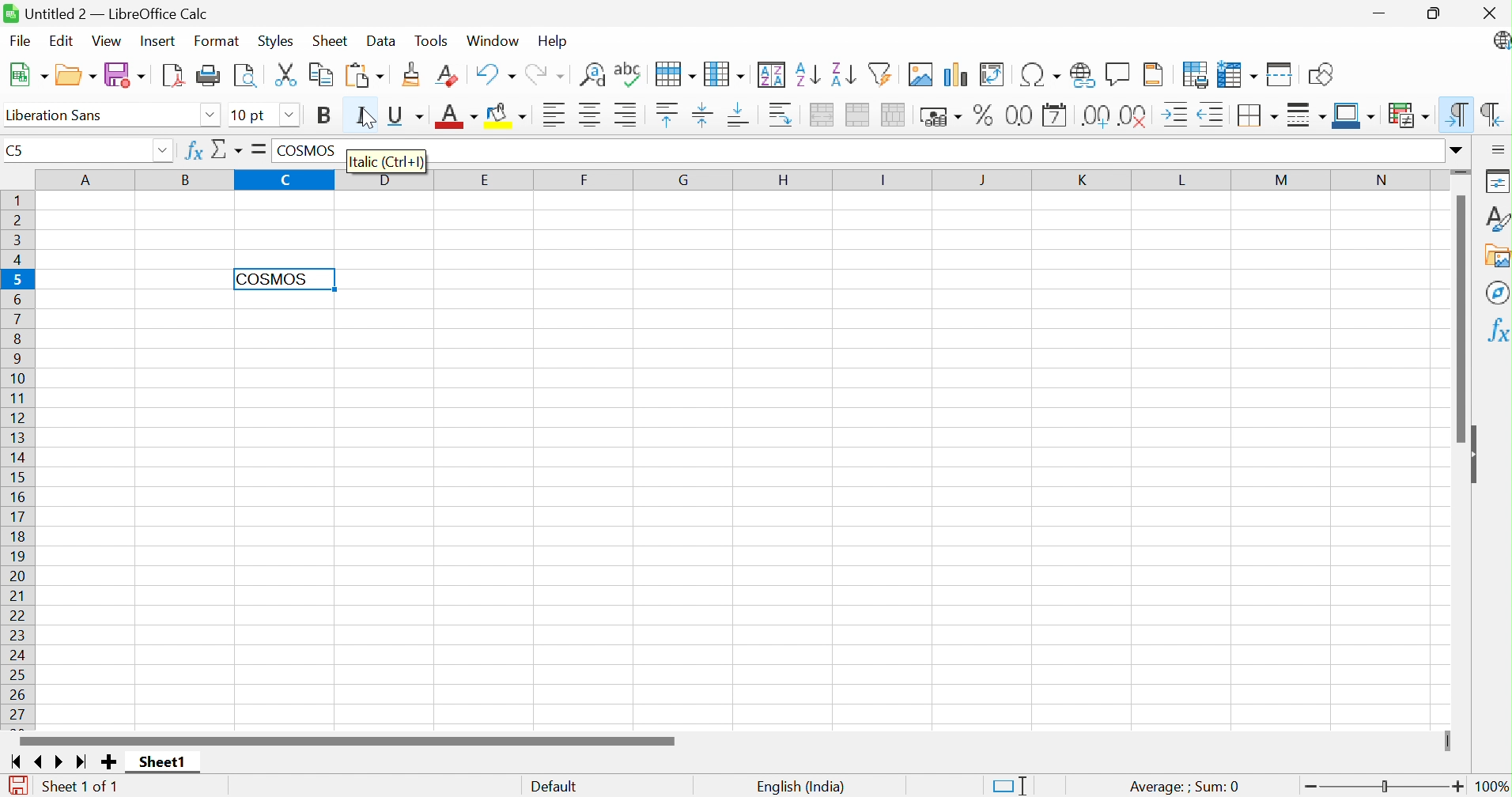 The height and width of the screenshot is (797, 1512). What do you see at coordinates (1499, 179) in the screenshot?
I see `Properties` at bounding box center [1499, 179].